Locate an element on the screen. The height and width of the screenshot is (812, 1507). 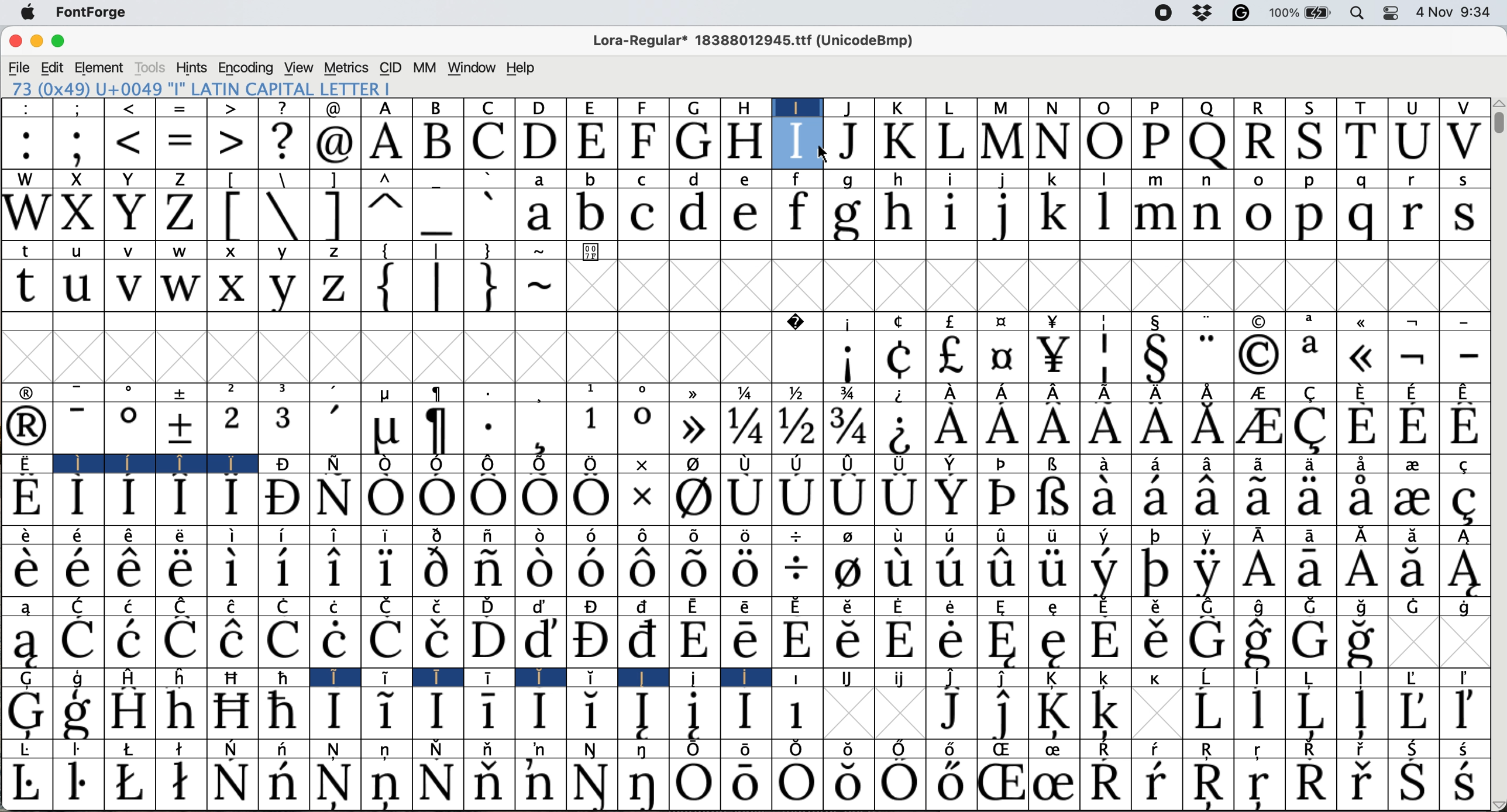
Symbol is located at coordinates (645, 501).